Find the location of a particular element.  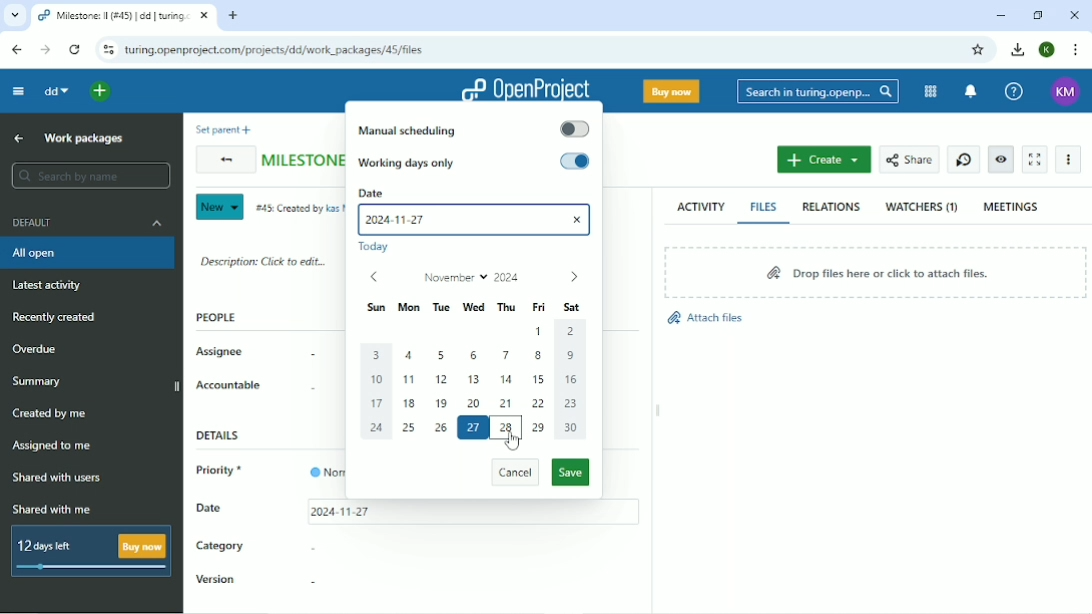

Buy now is located at coordinates (671, 90).